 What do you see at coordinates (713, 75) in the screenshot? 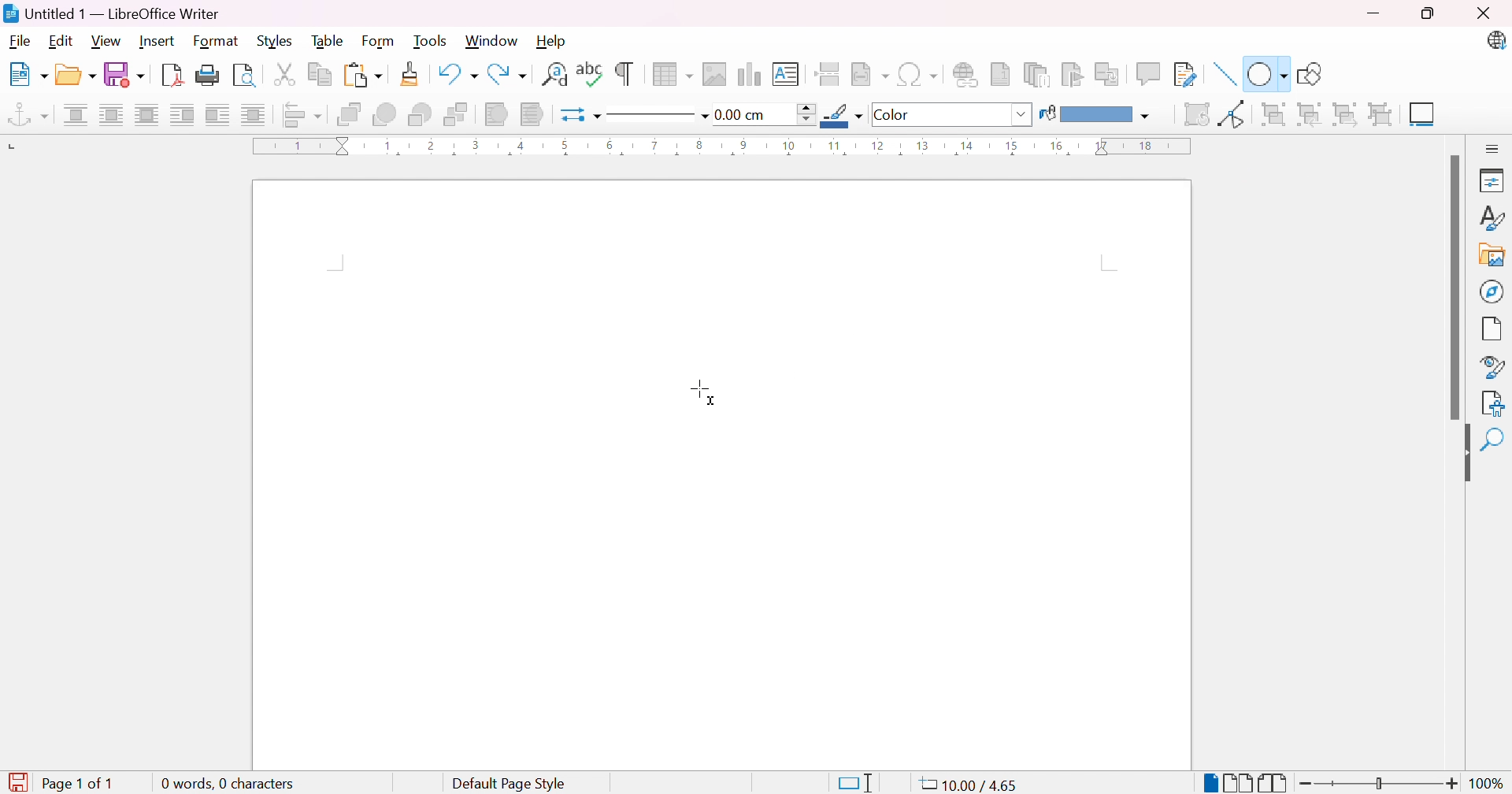
I see `Insert image` at bounding box center [713, 75].